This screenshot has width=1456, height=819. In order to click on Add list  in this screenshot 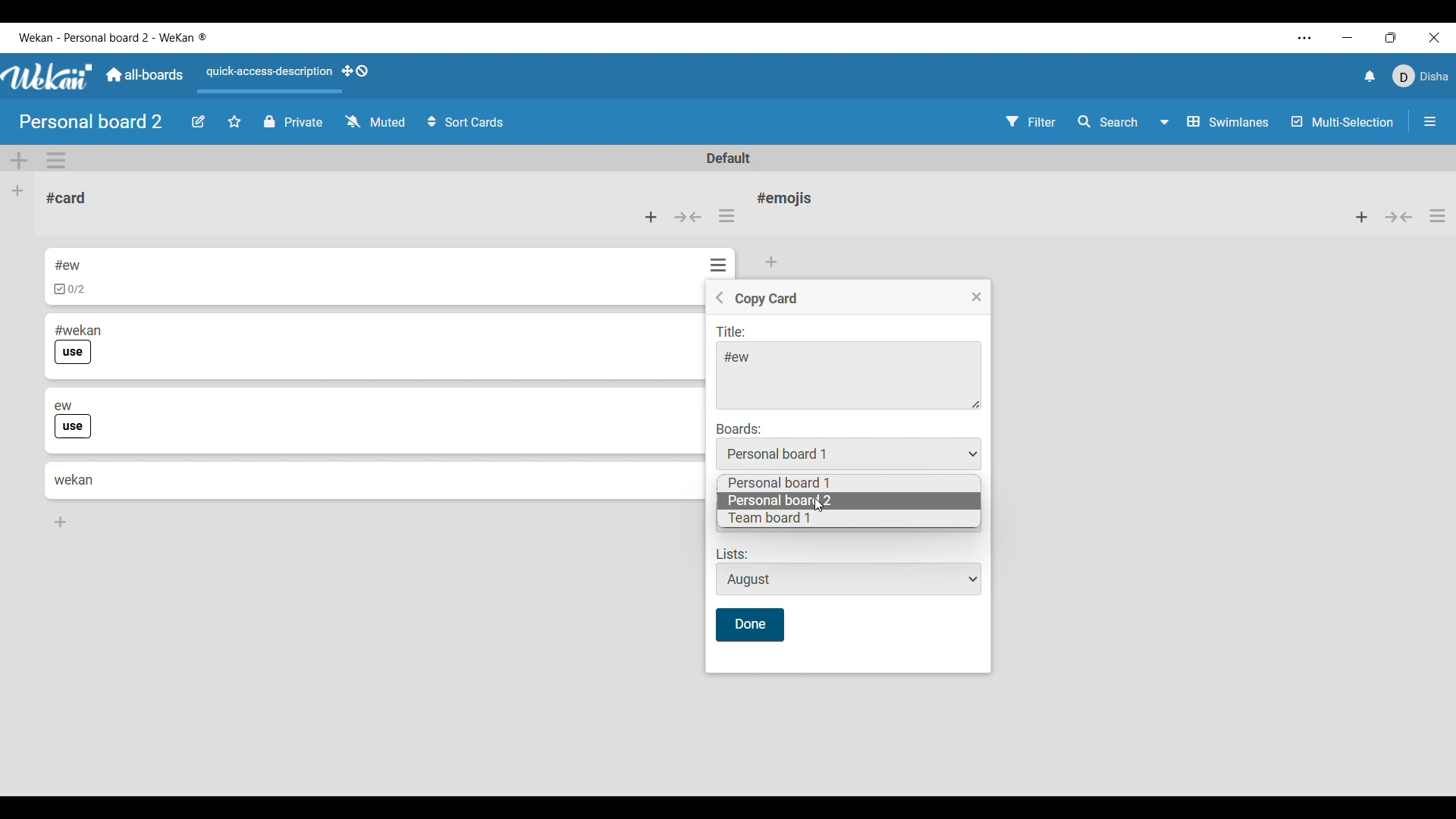, I will do `click(18, 192)`.